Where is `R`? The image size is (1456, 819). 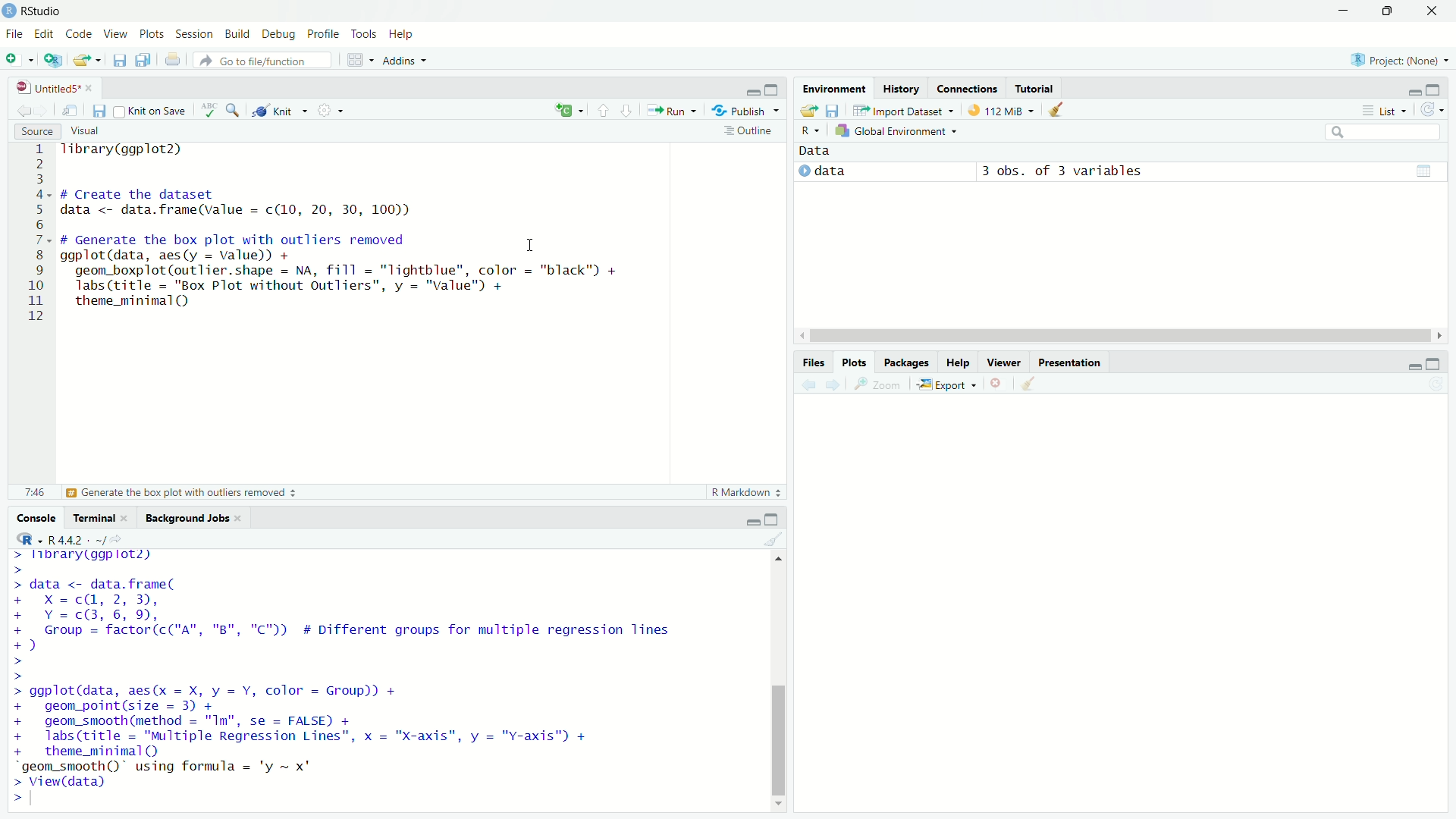
R is located at coordinates (807, 128).